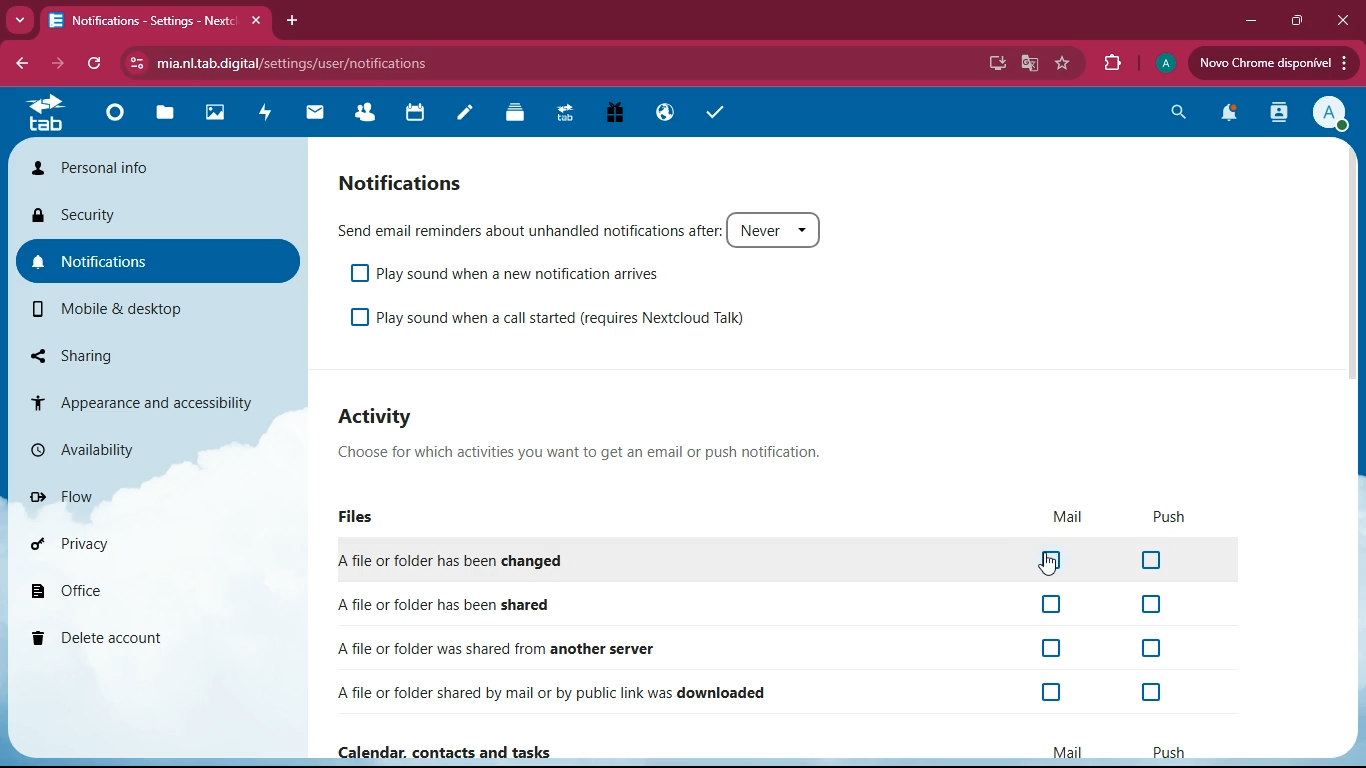 This screenshot has height=768, width=1366. Describe the element at coordinates (562, 694) in the screenshot. I see `downloaded` at that location.